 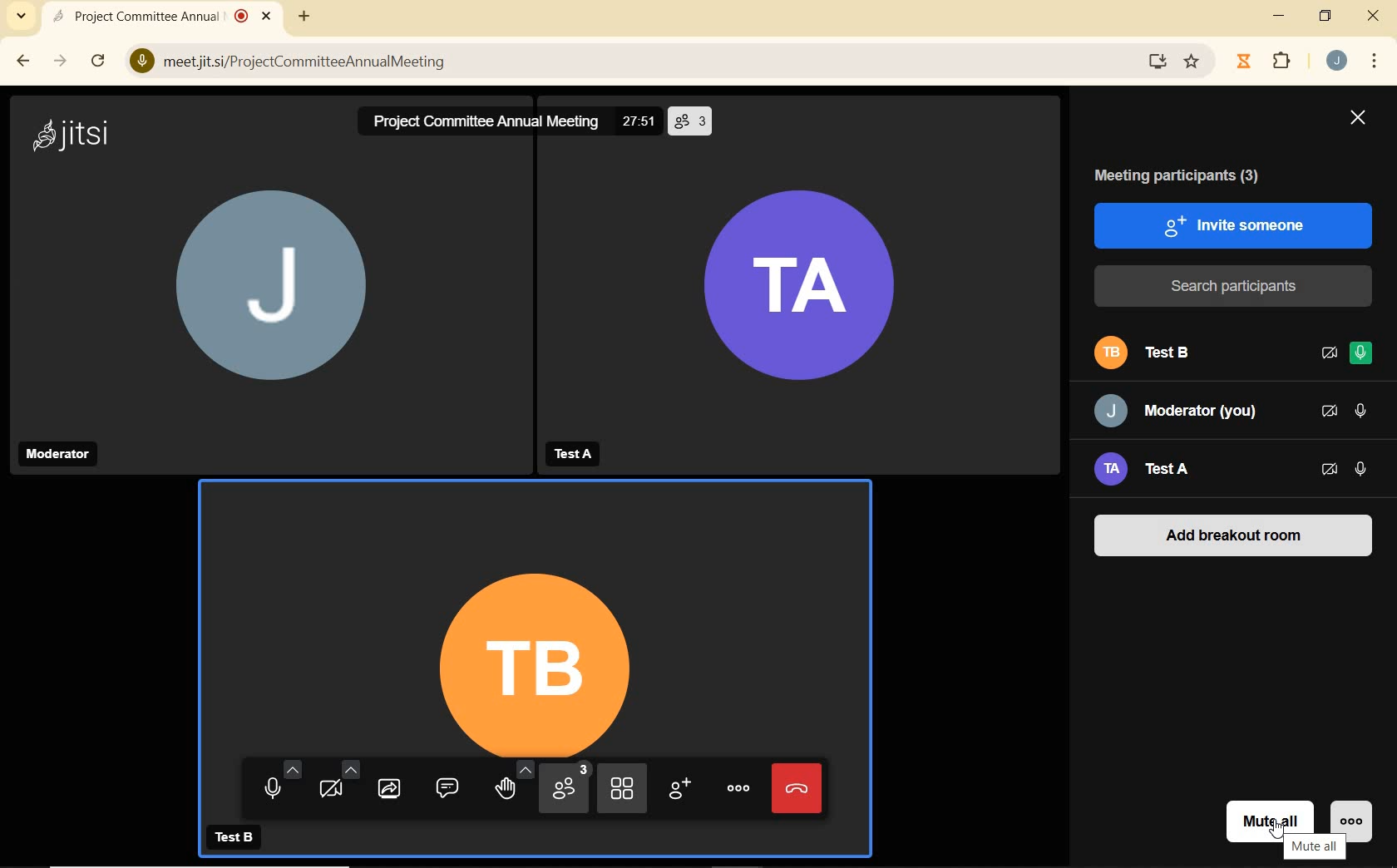 I want to click on Download website, so click(x=1155, y=62).